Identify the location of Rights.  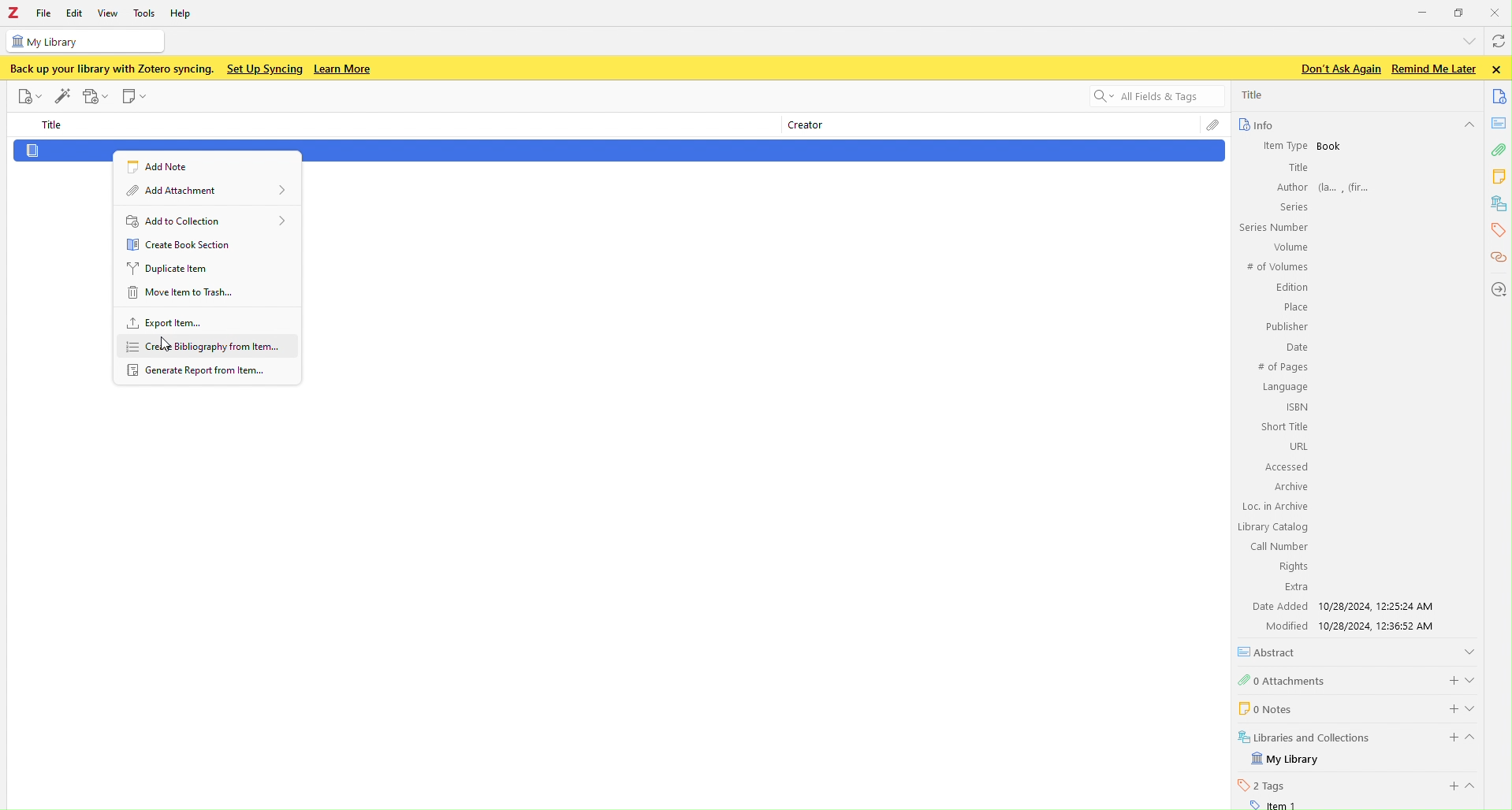
(1290, 566).